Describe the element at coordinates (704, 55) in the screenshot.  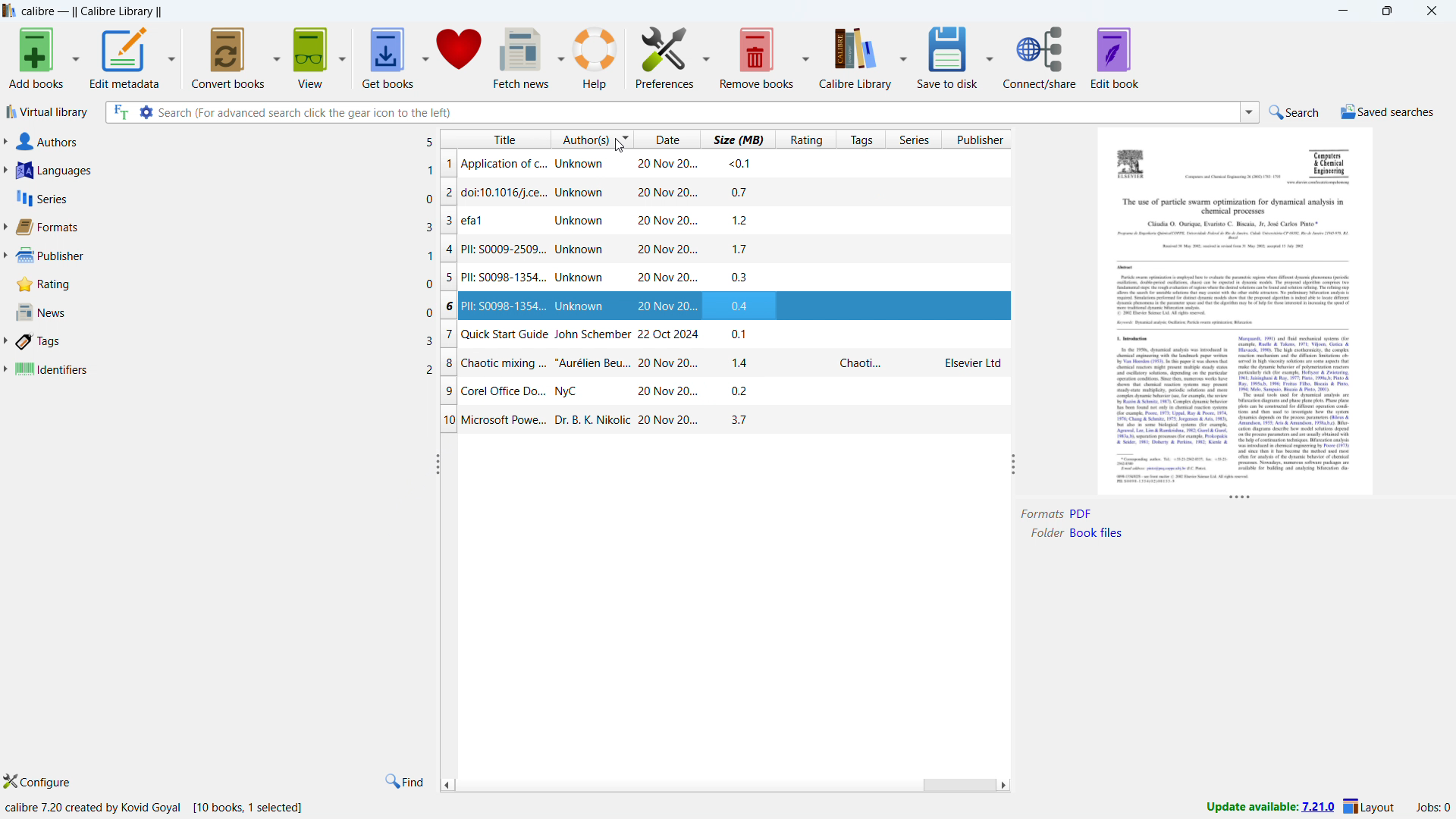
I see `preferences options` at that location.